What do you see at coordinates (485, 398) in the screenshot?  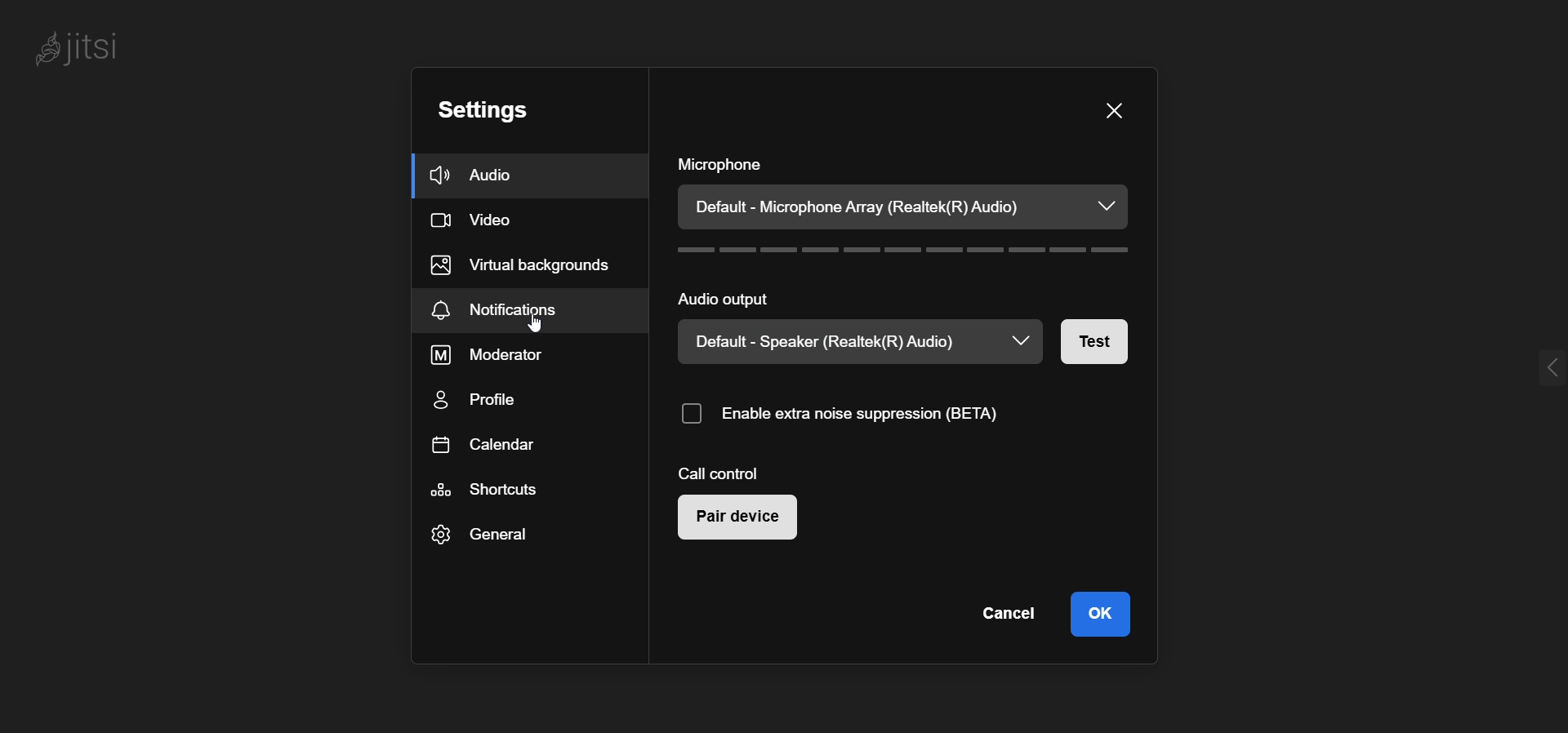 I see `profile` at bounding box center [485, 398].